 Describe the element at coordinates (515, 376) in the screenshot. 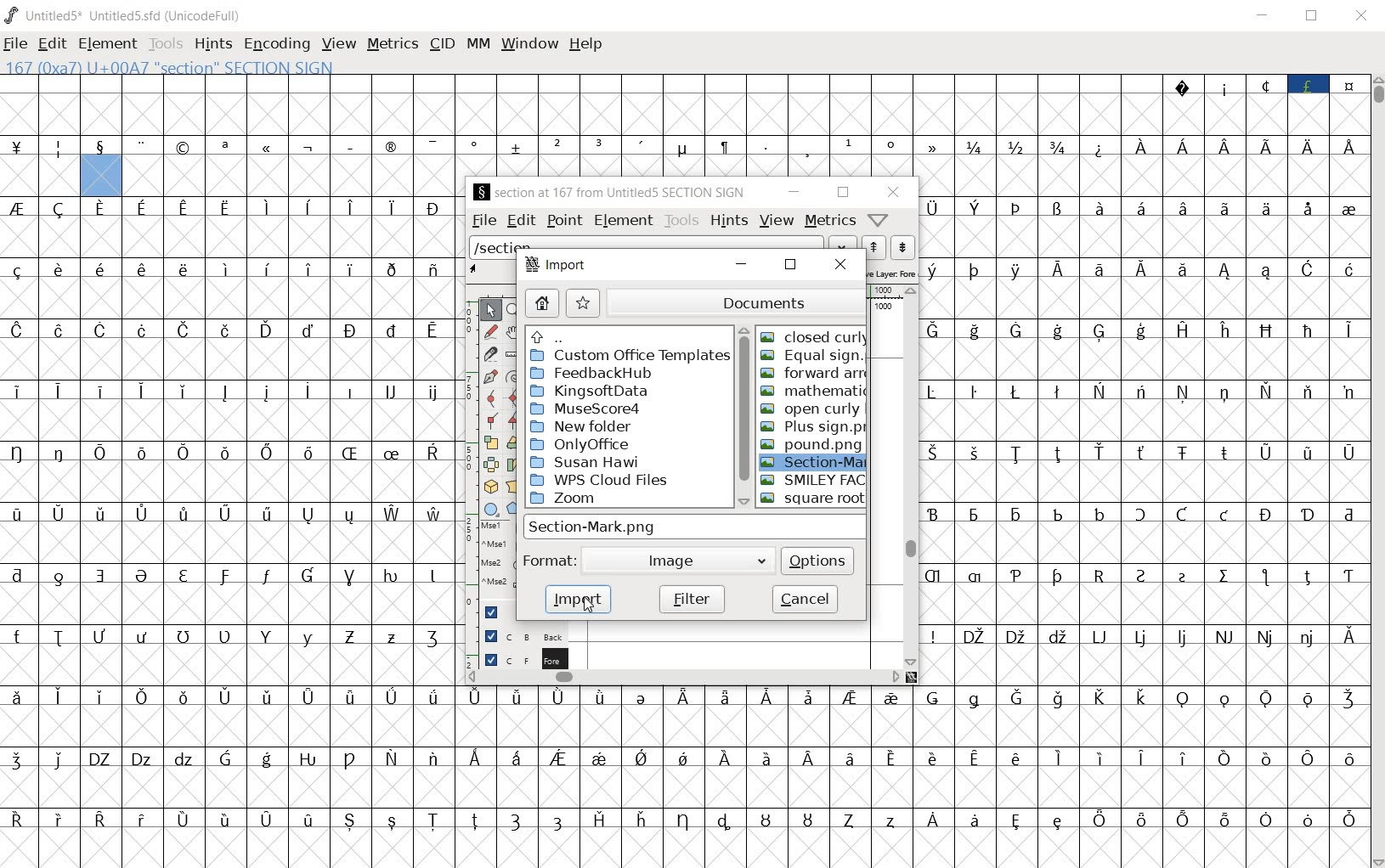

I see `change whether spiro is active or not` at that location.